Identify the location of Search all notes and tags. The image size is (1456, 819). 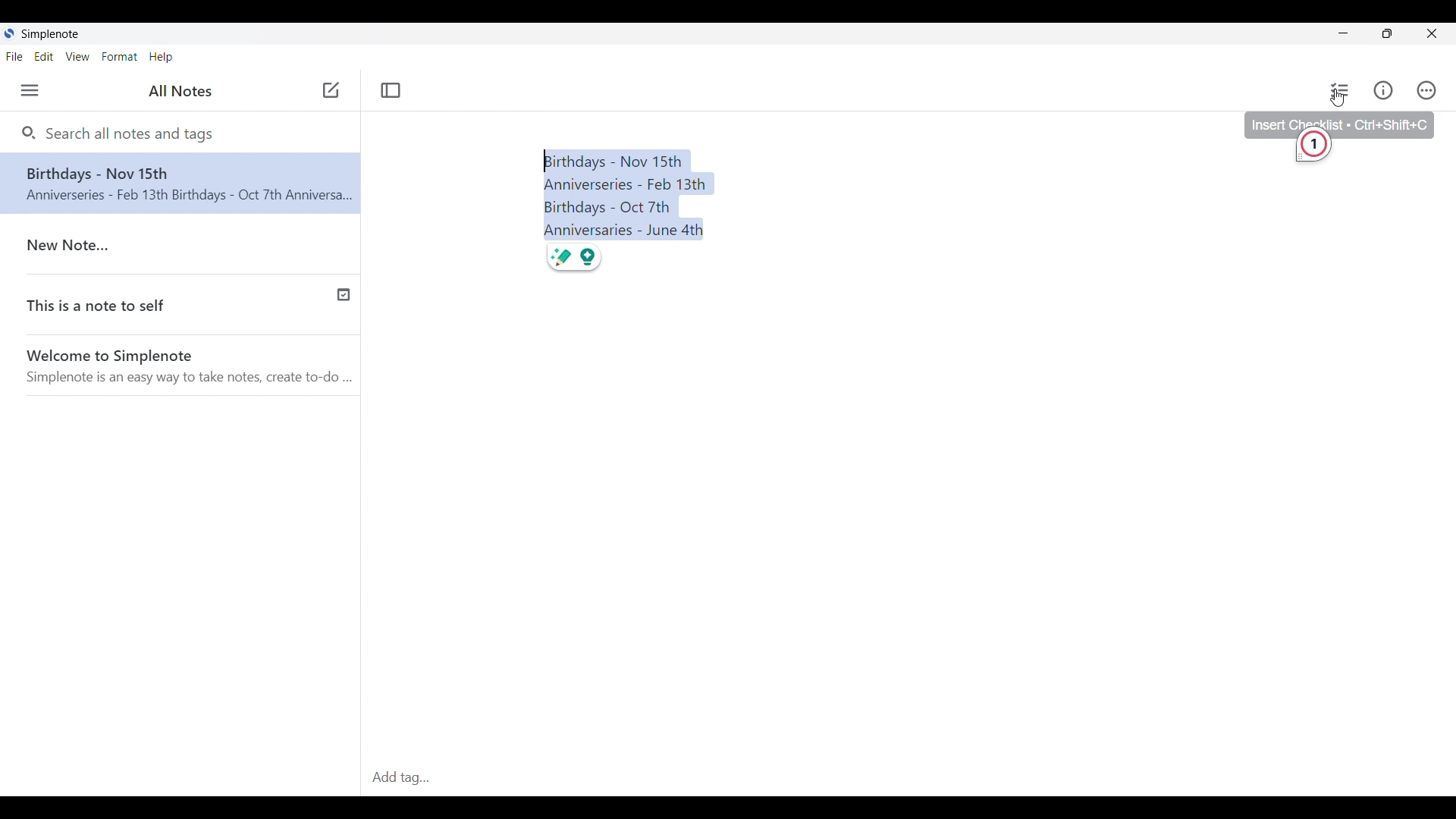
(134, 133).